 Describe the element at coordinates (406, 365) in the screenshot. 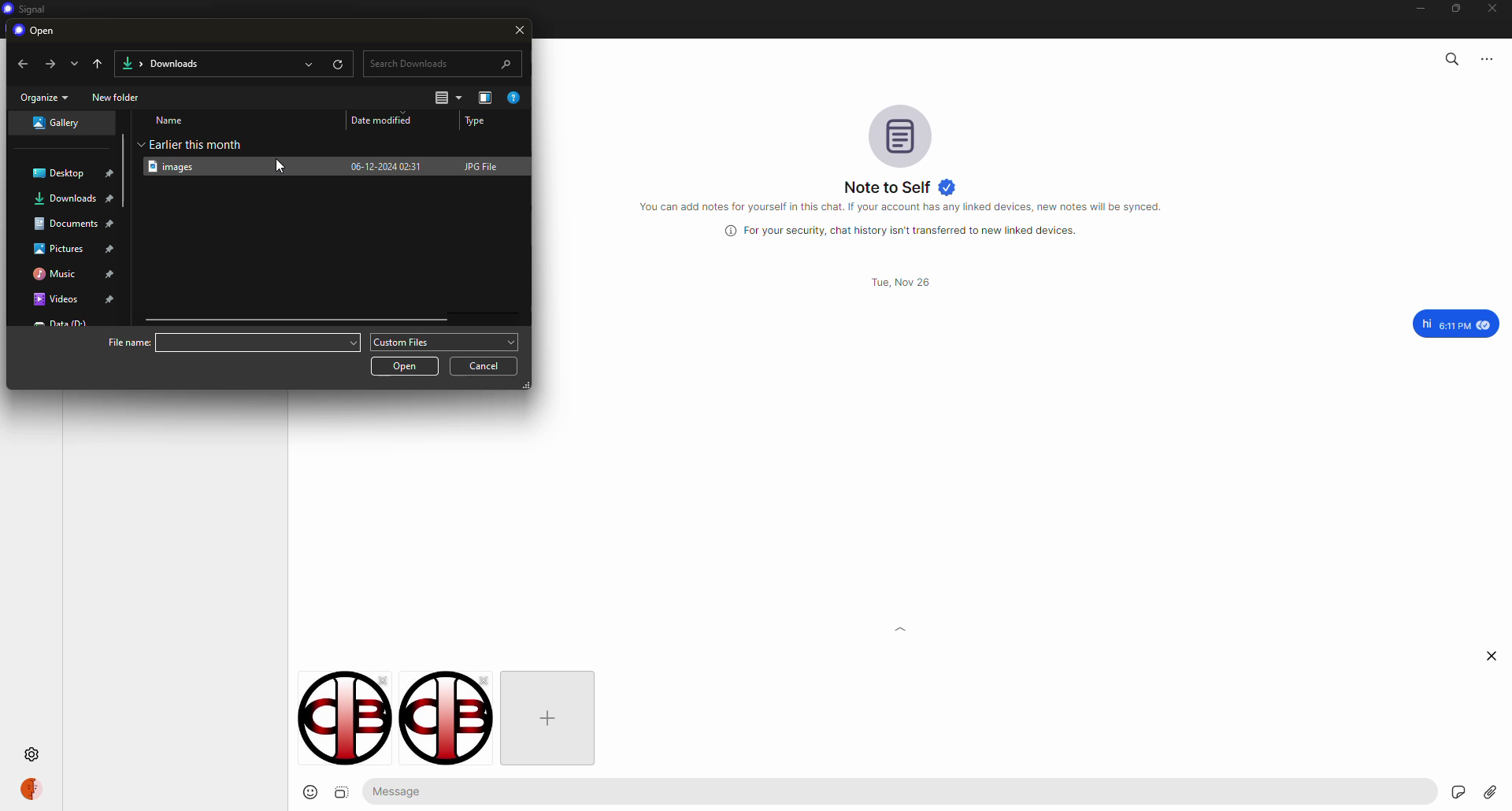

I see `open` at that location.